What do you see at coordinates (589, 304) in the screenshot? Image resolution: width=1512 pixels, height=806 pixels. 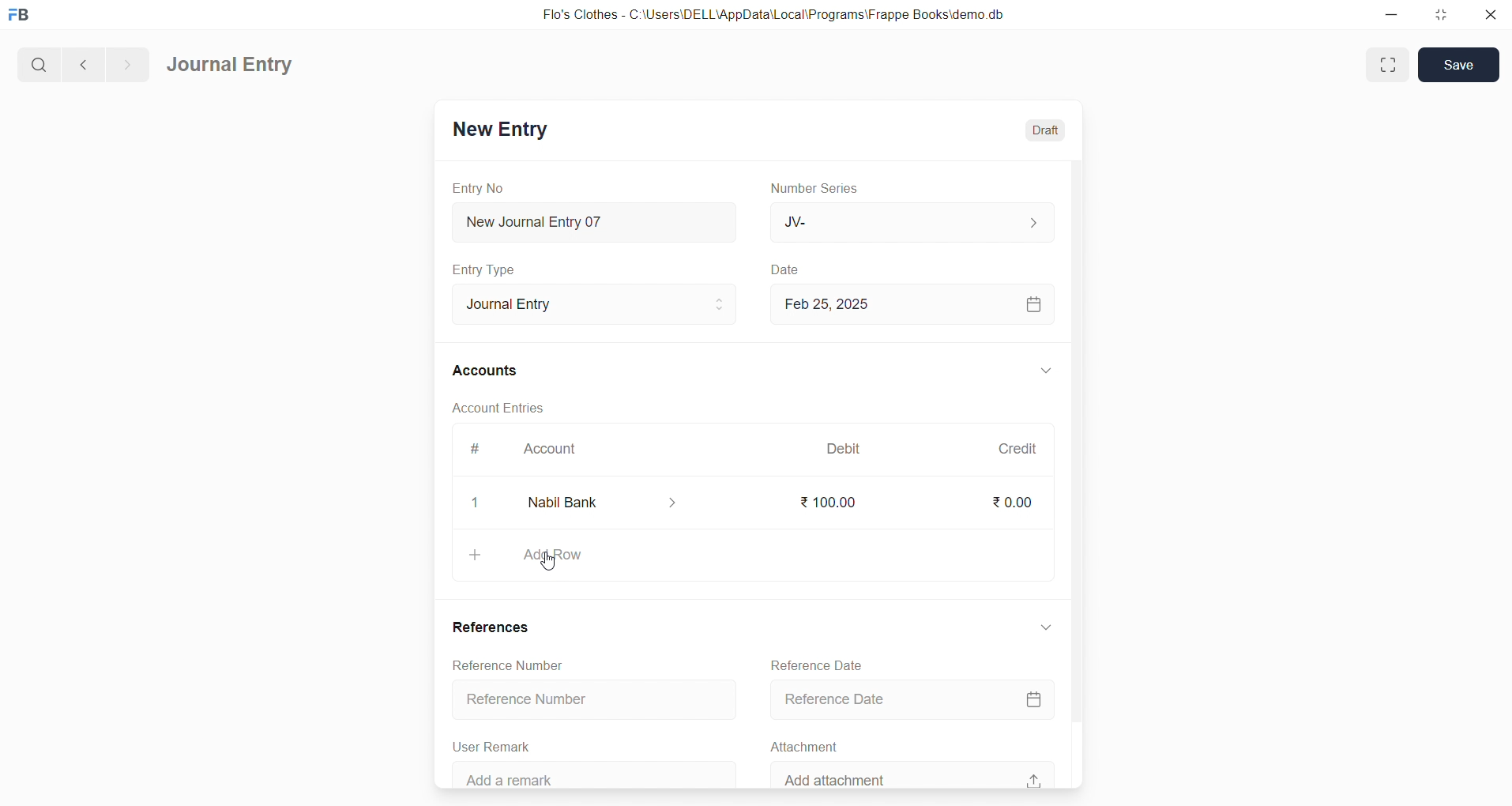 I see `Journal Entry` at bounding box center [589, 304].